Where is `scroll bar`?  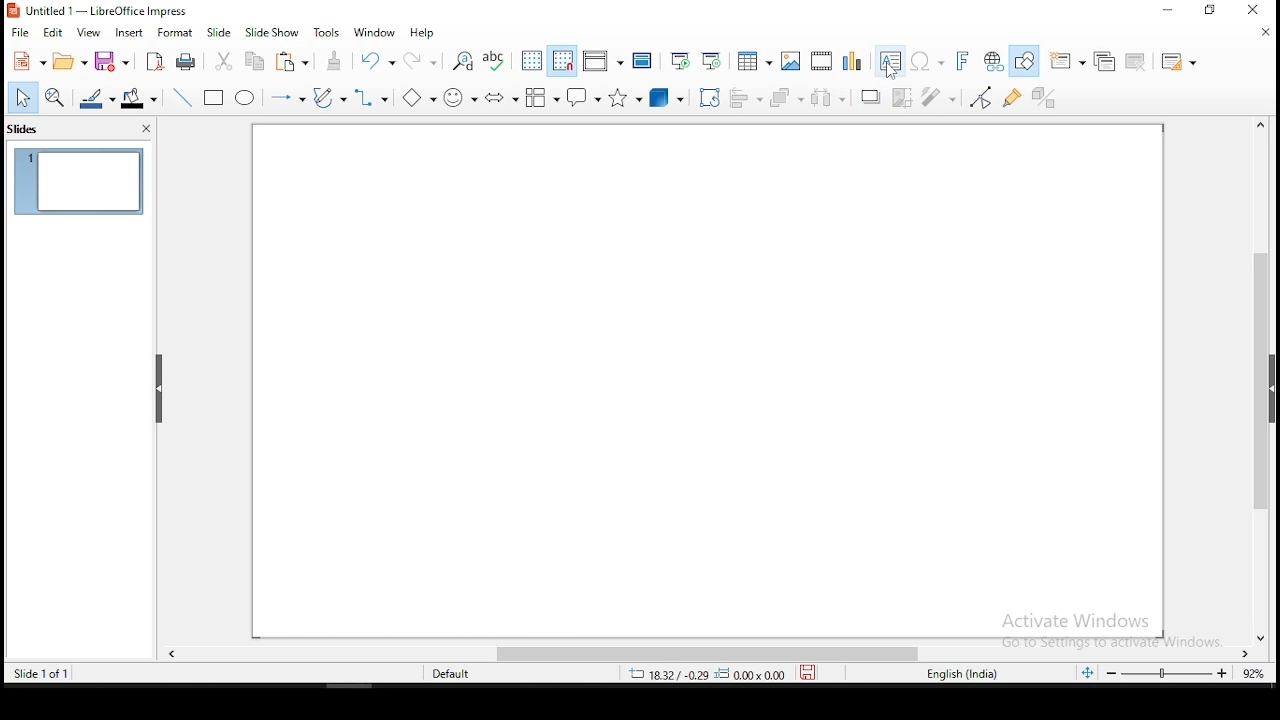 scroll bar is located at coordinates (1263, 380).